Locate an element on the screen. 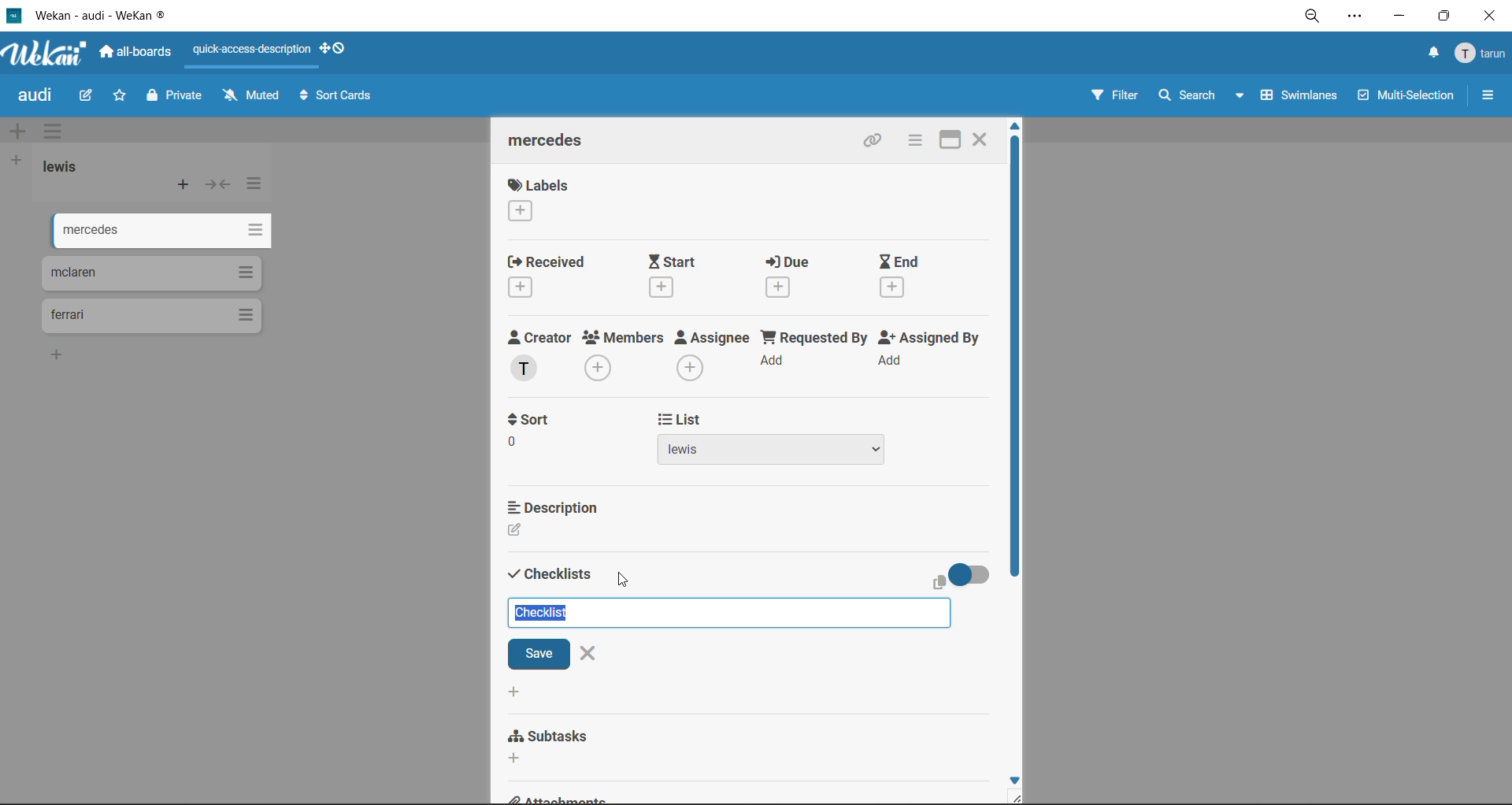  due is located at coordinates (799, 280).